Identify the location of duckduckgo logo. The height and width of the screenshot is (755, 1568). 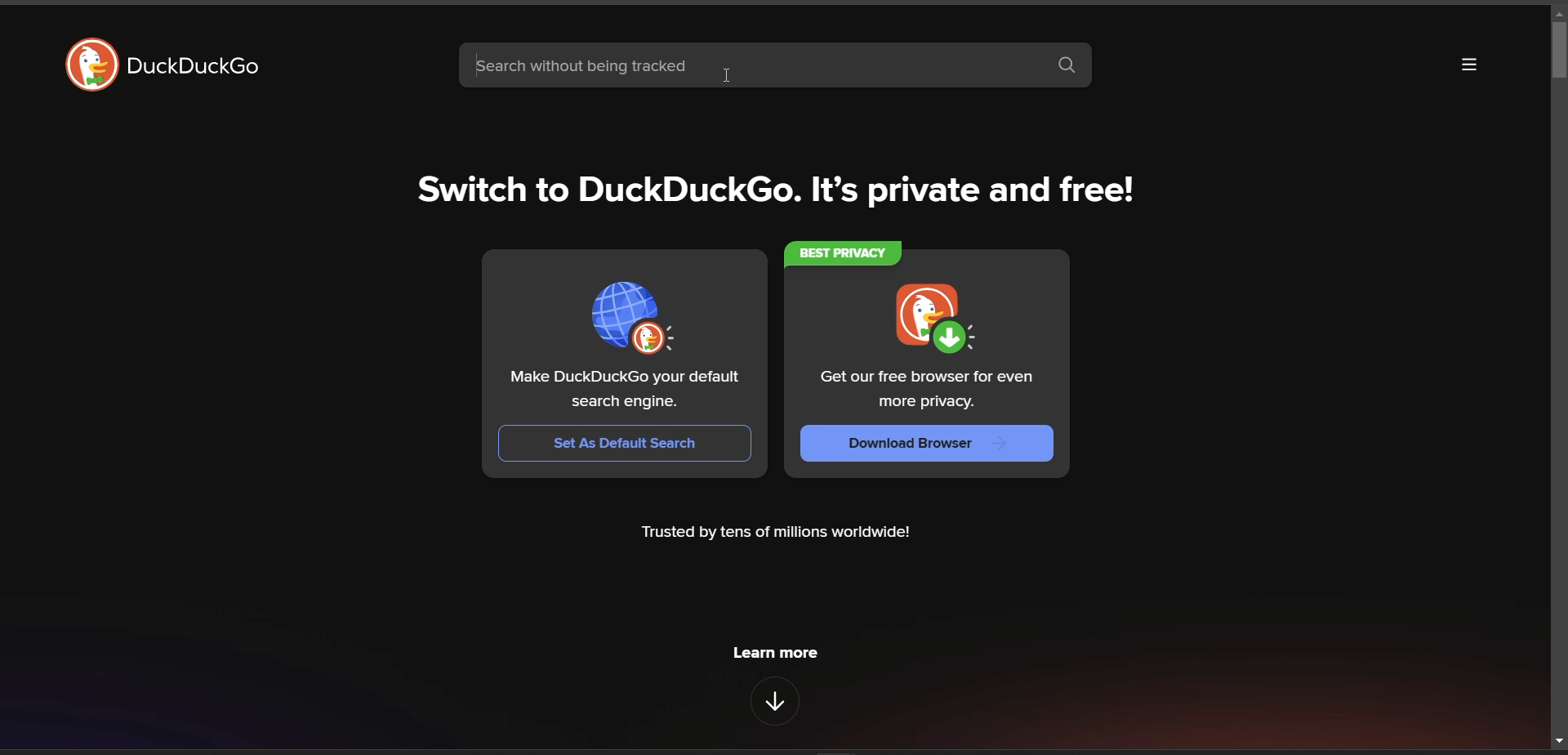
(91, 64).